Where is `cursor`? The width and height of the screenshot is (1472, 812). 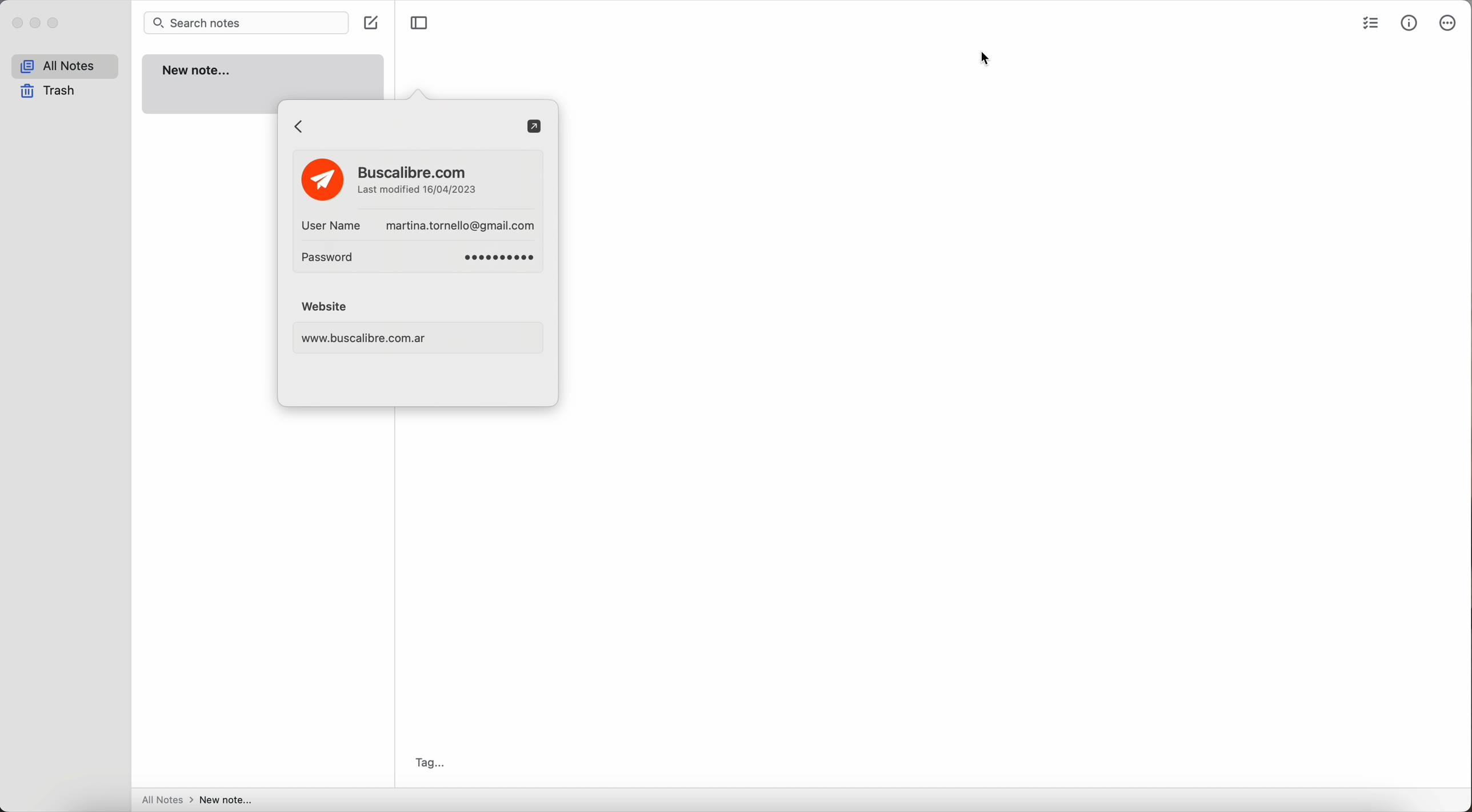
cursor is located at coordinates (983, 60).